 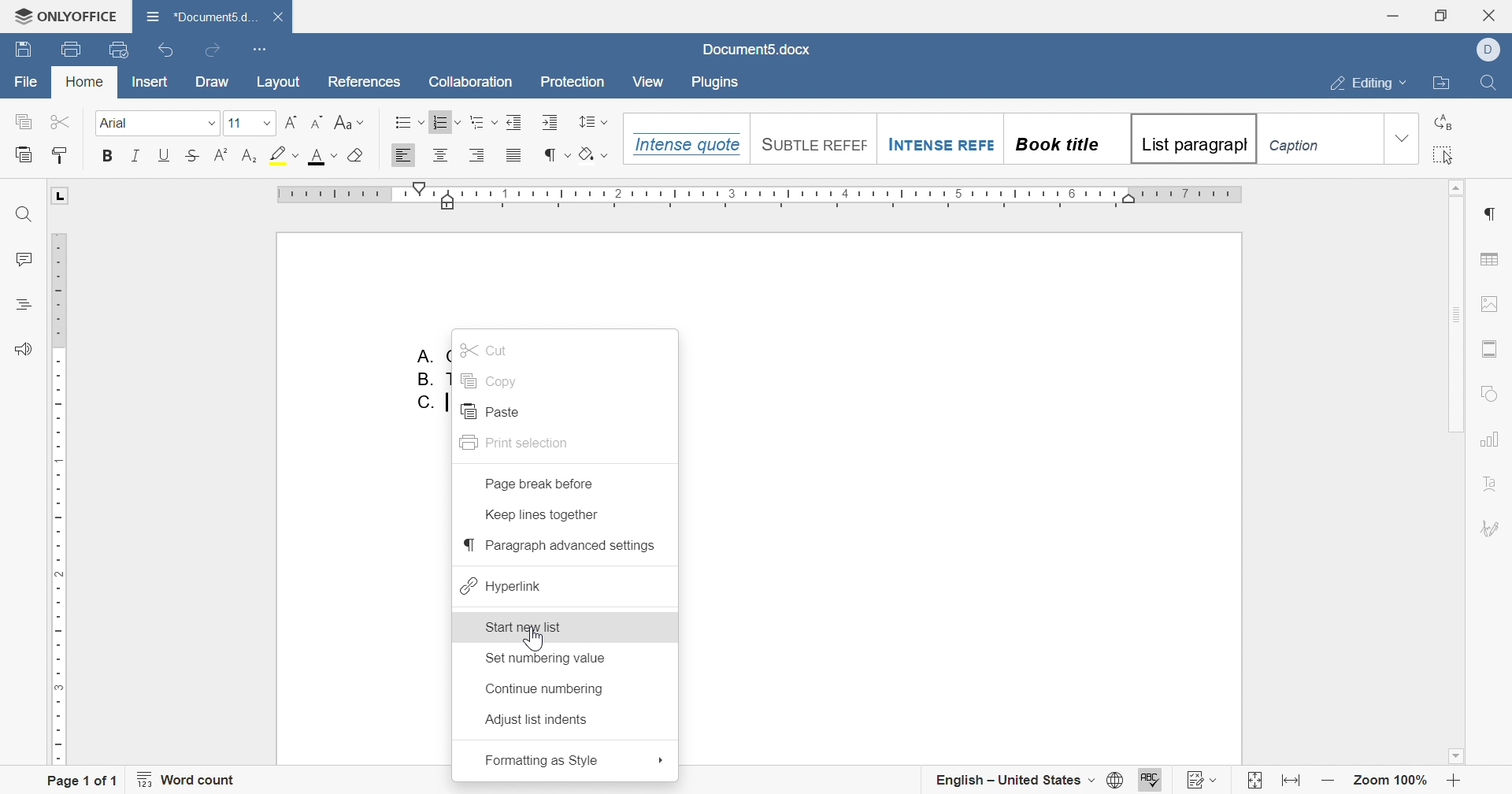 I want to click on C., so click(x=424, y=402).